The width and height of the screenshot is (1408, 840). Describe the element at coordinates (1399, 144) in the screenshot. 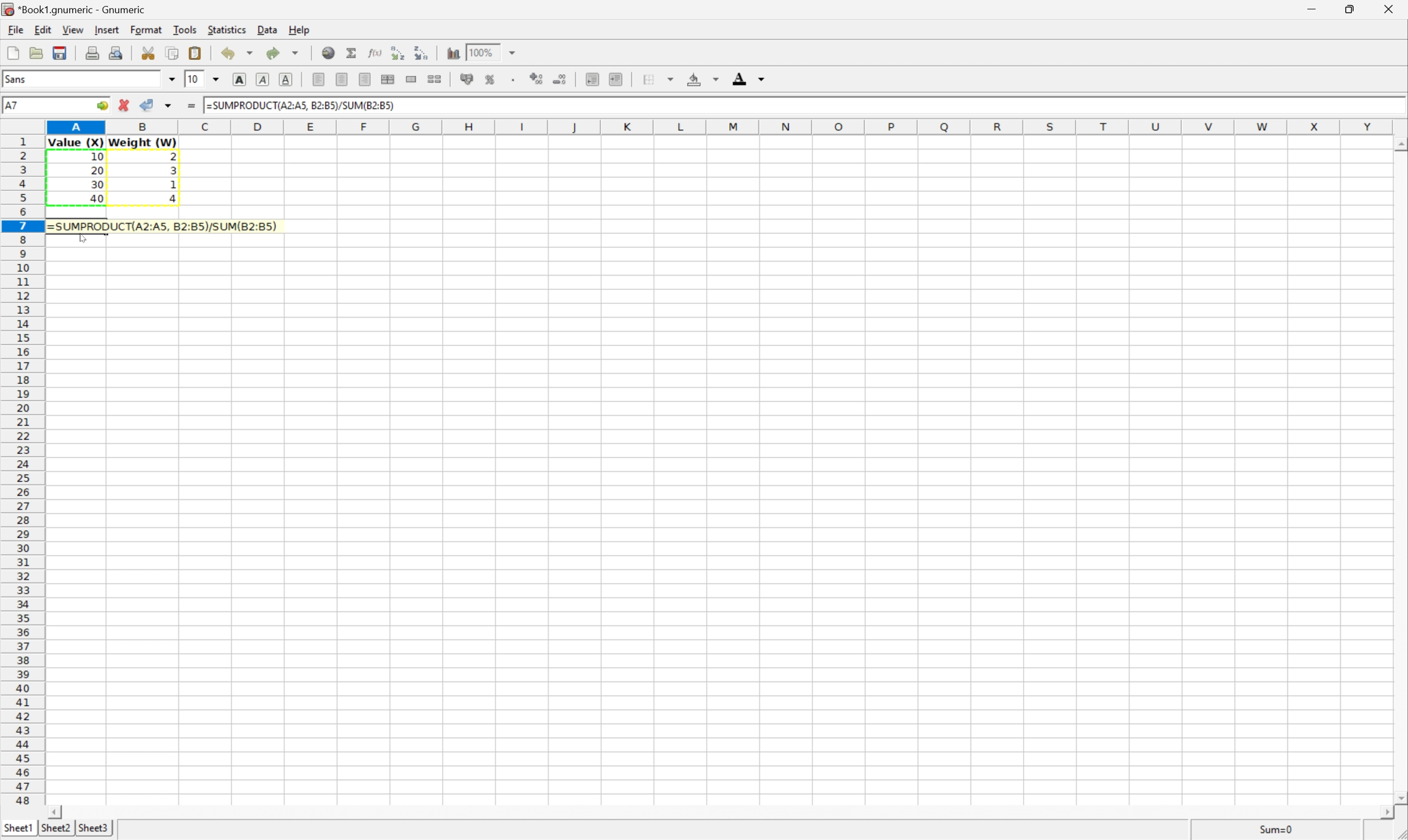

I see `Scroll Up` at that location.